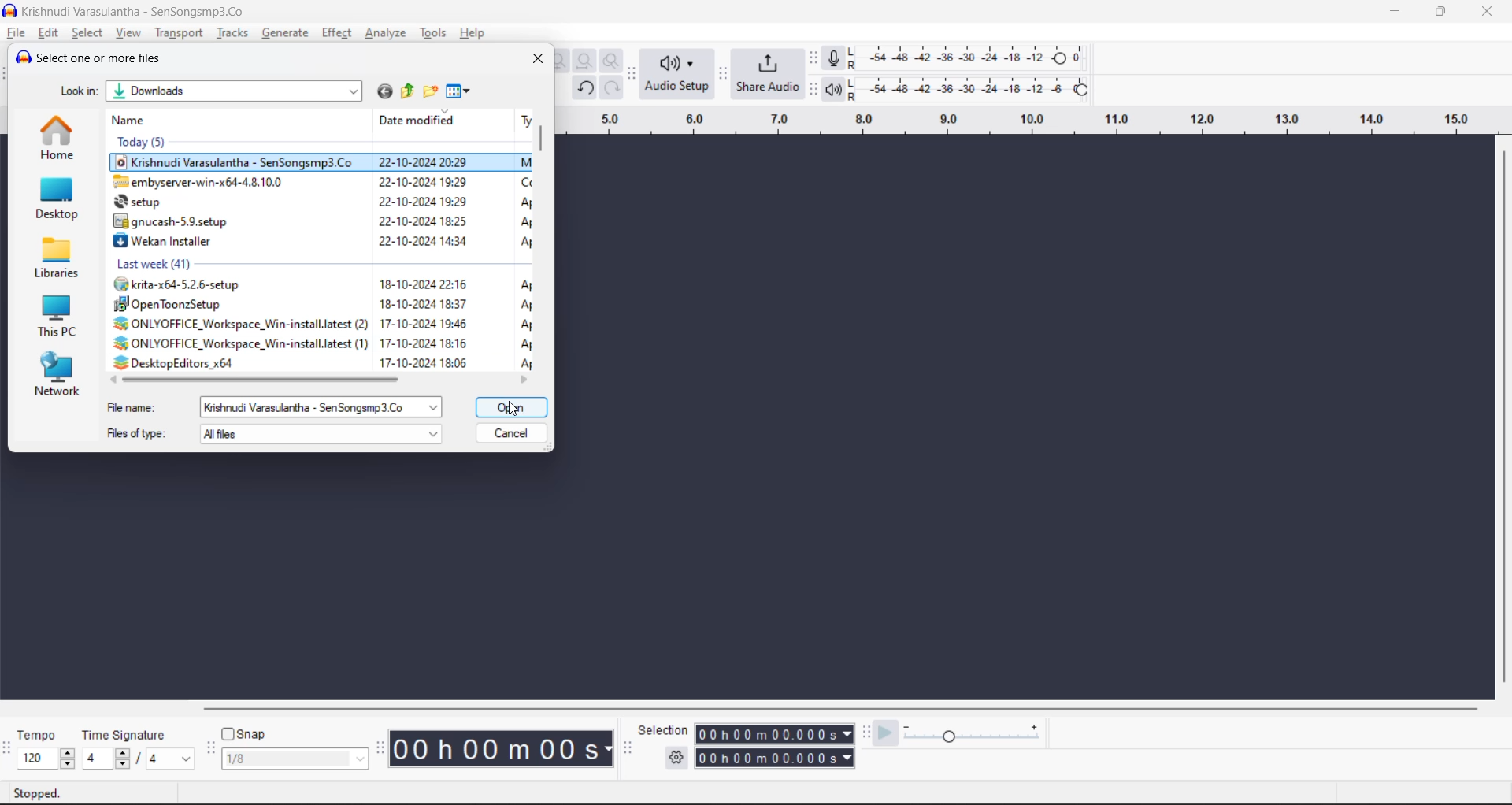 The width and height of the screenshot is (1512, 805). I want to click on playback speed, so click(973, 731).